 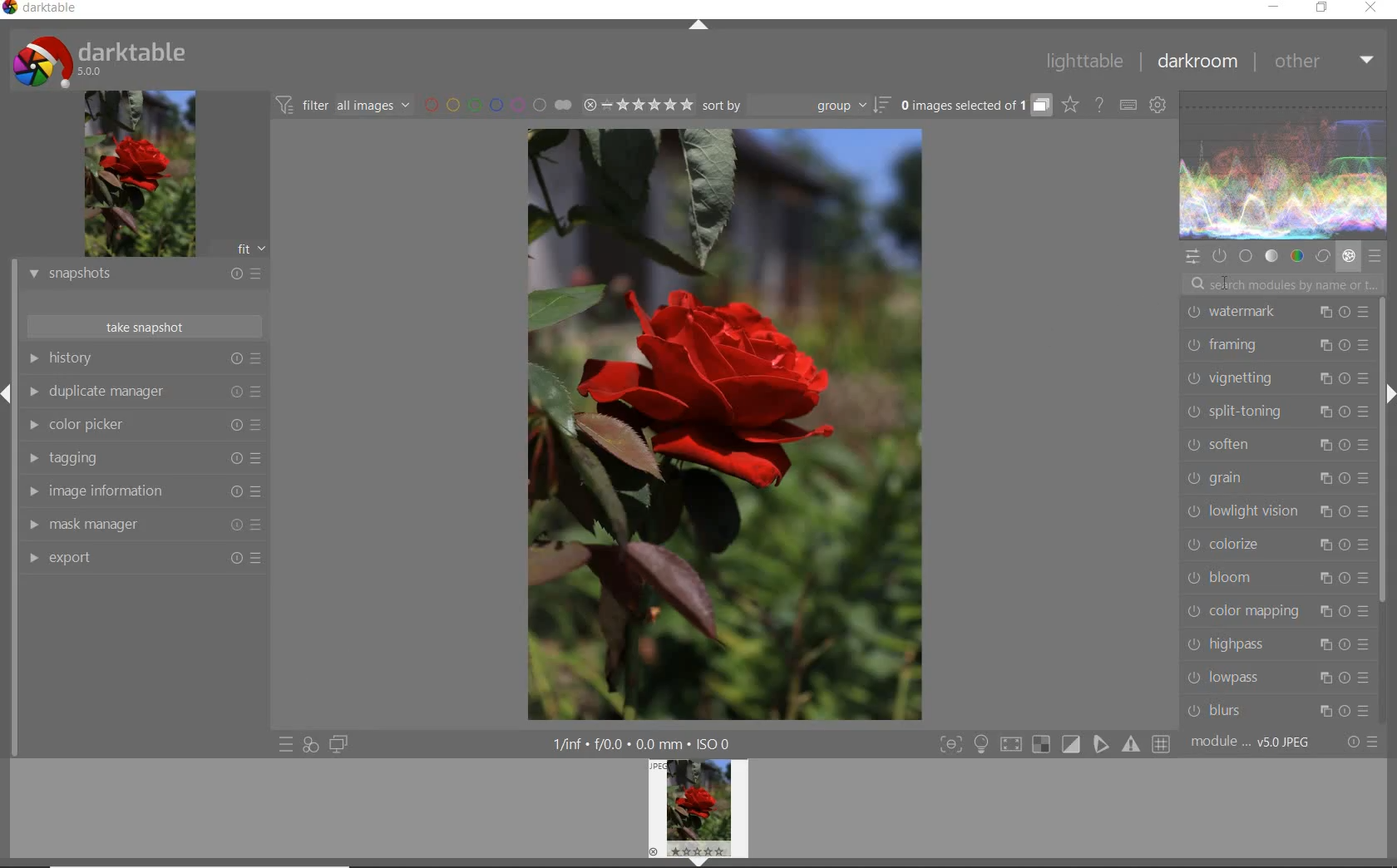 I want to click on show global preferences, so click(x=1157, y=106).